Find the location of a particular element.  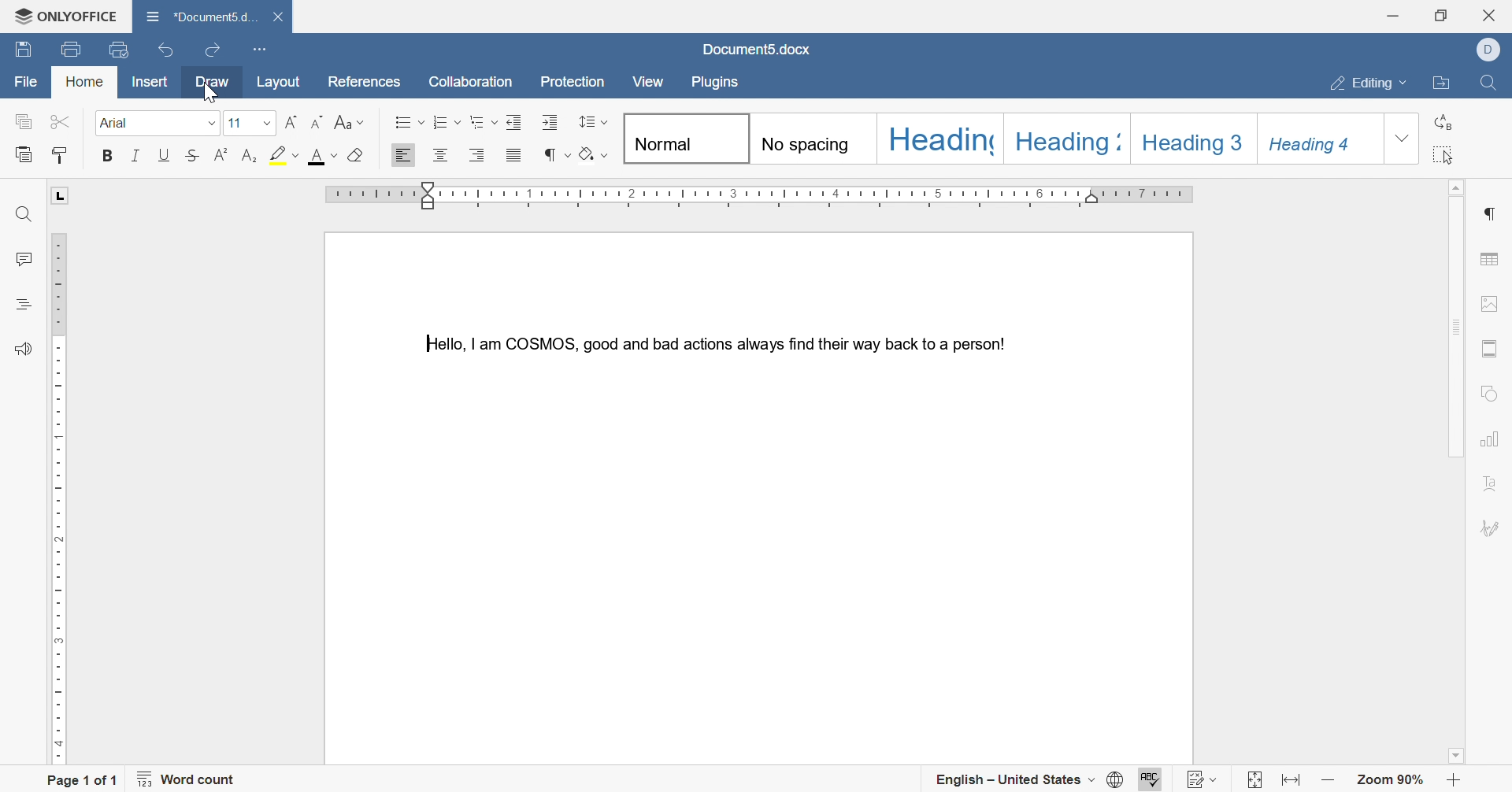

increase indent is located at coordinates (550, 121).